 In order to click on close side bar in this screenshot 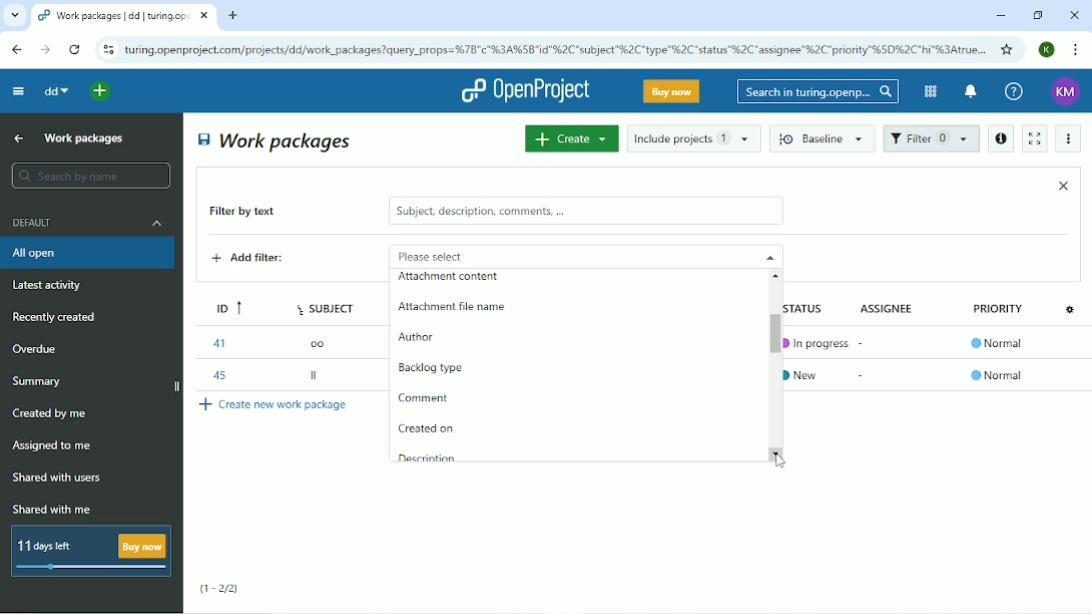, I will do `click(175, 388)`.